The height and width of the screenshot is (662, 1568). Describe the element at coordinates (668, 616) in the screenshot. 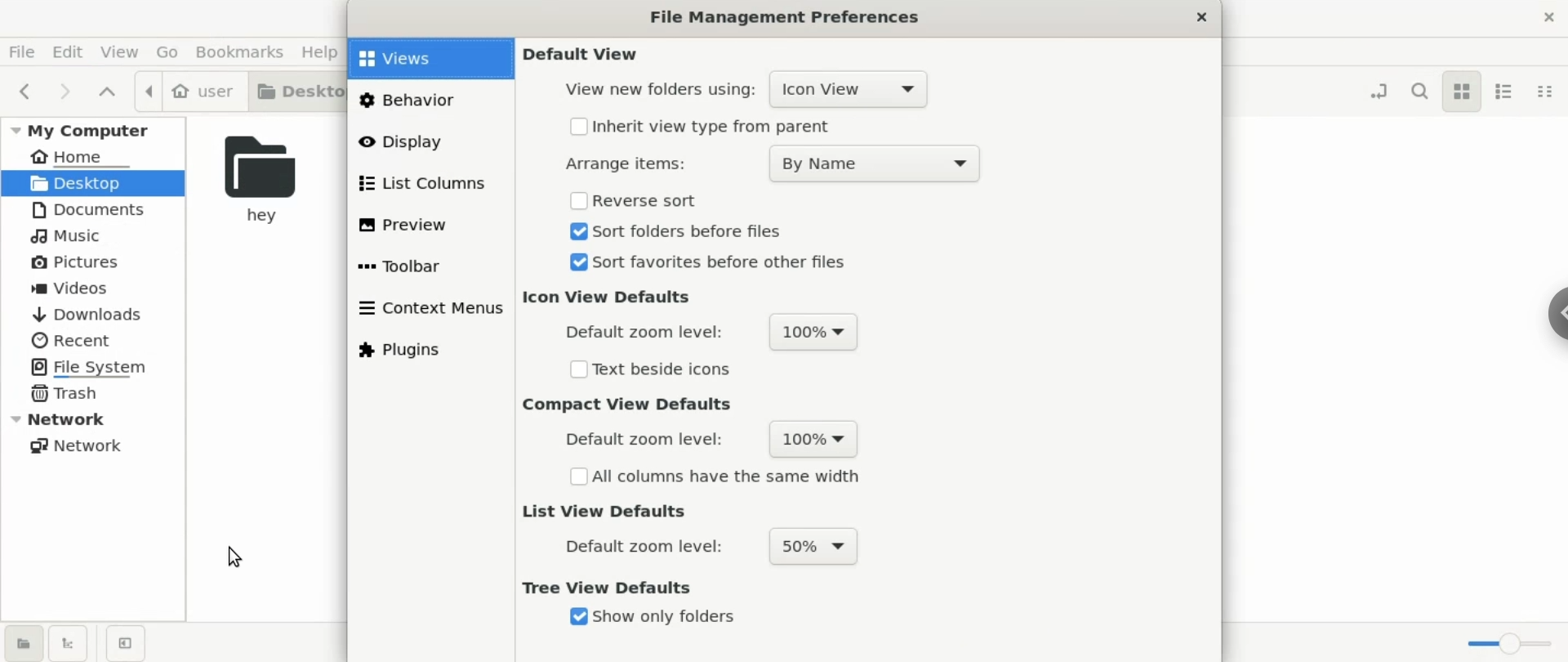

I see `show only folders` at that location.